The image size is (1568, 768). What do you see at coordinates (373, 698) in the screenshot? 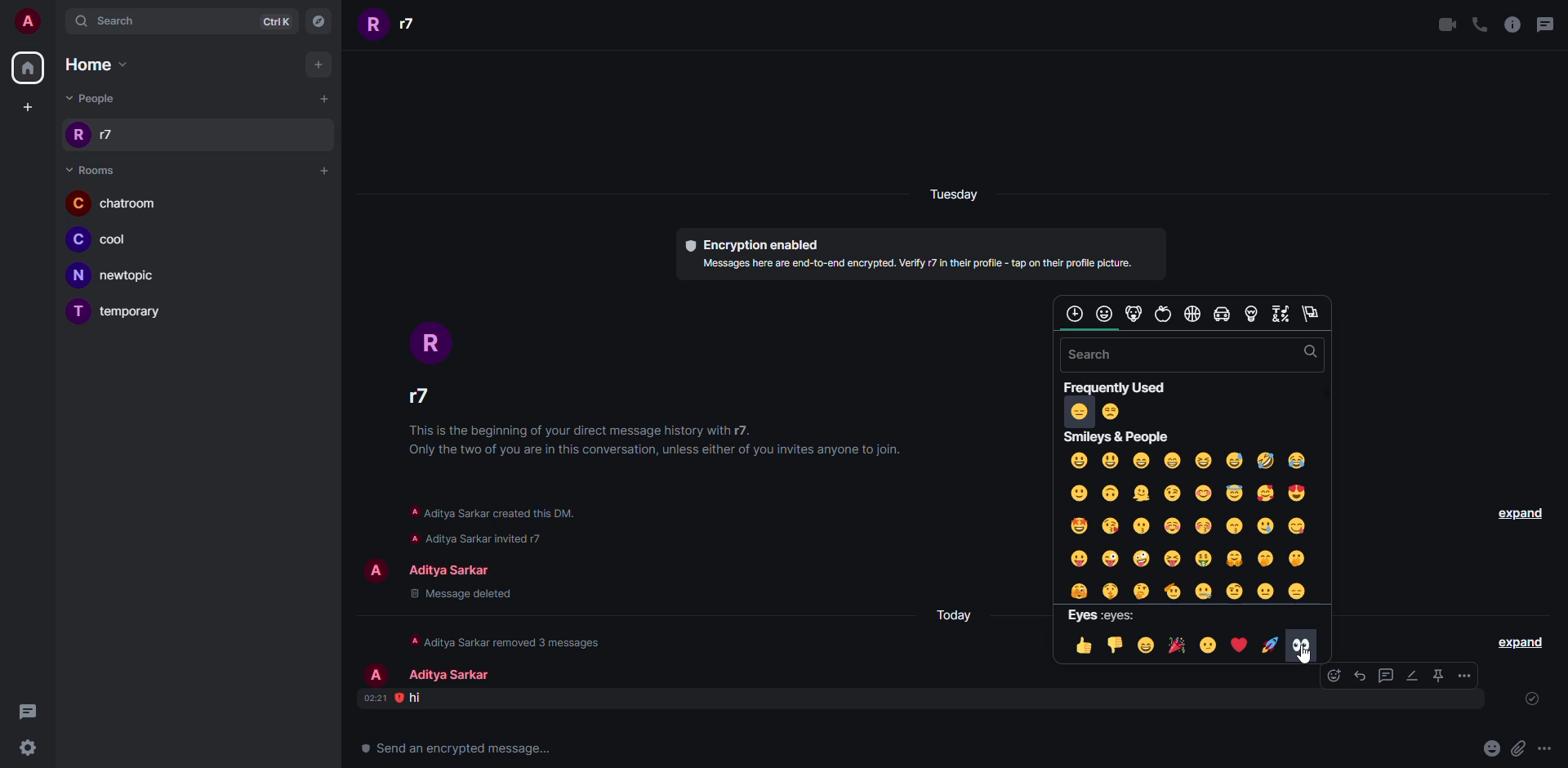
I see `time` at bounding box center [373, 698].